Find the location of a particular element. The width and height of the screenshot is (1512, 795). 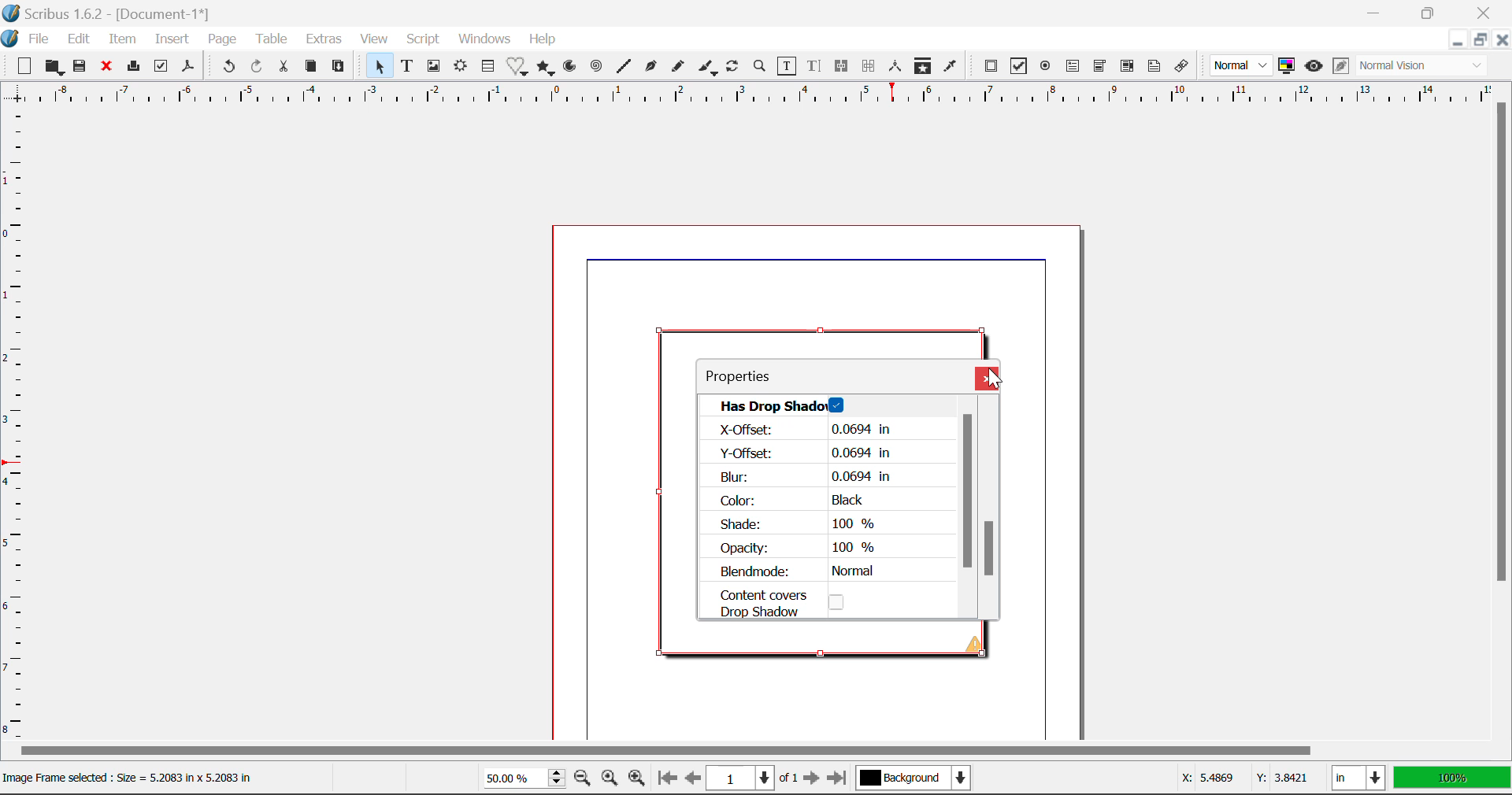

Preflight Verifier is located at coordinates (161, 68).